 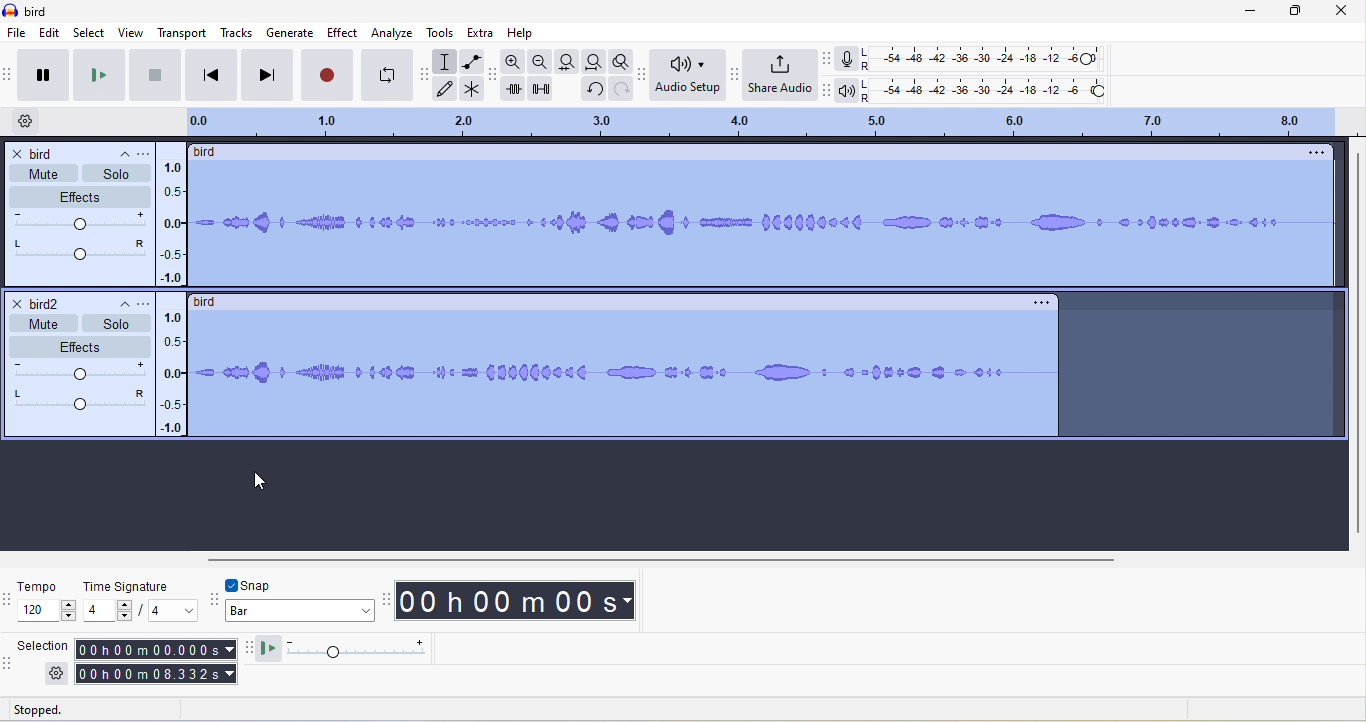 I want to click on cursor movement, so click(x=261, y=480).